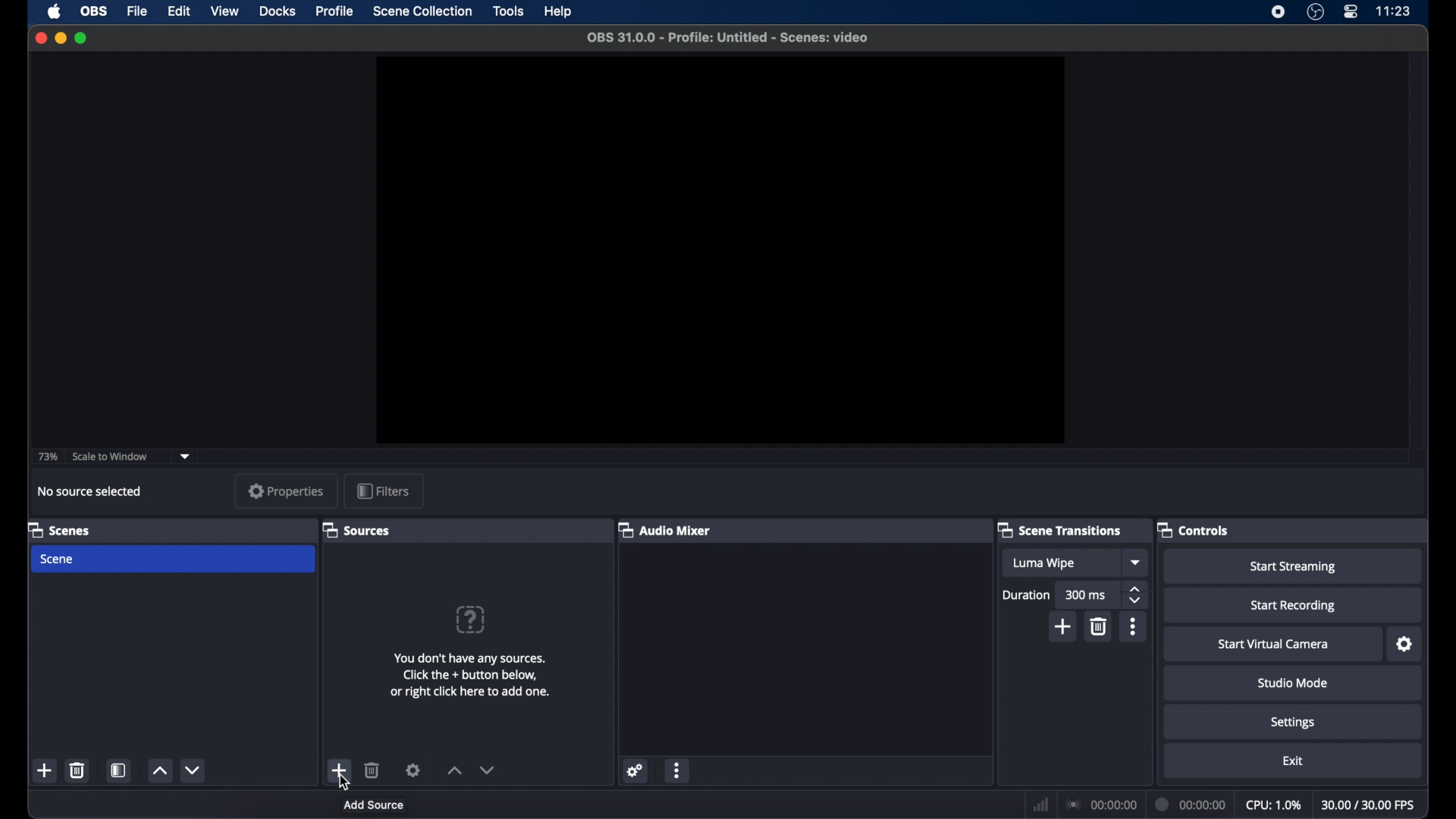  Describe the element at coordinates (1394, 10) in the screenshot. I see `time` at that location.